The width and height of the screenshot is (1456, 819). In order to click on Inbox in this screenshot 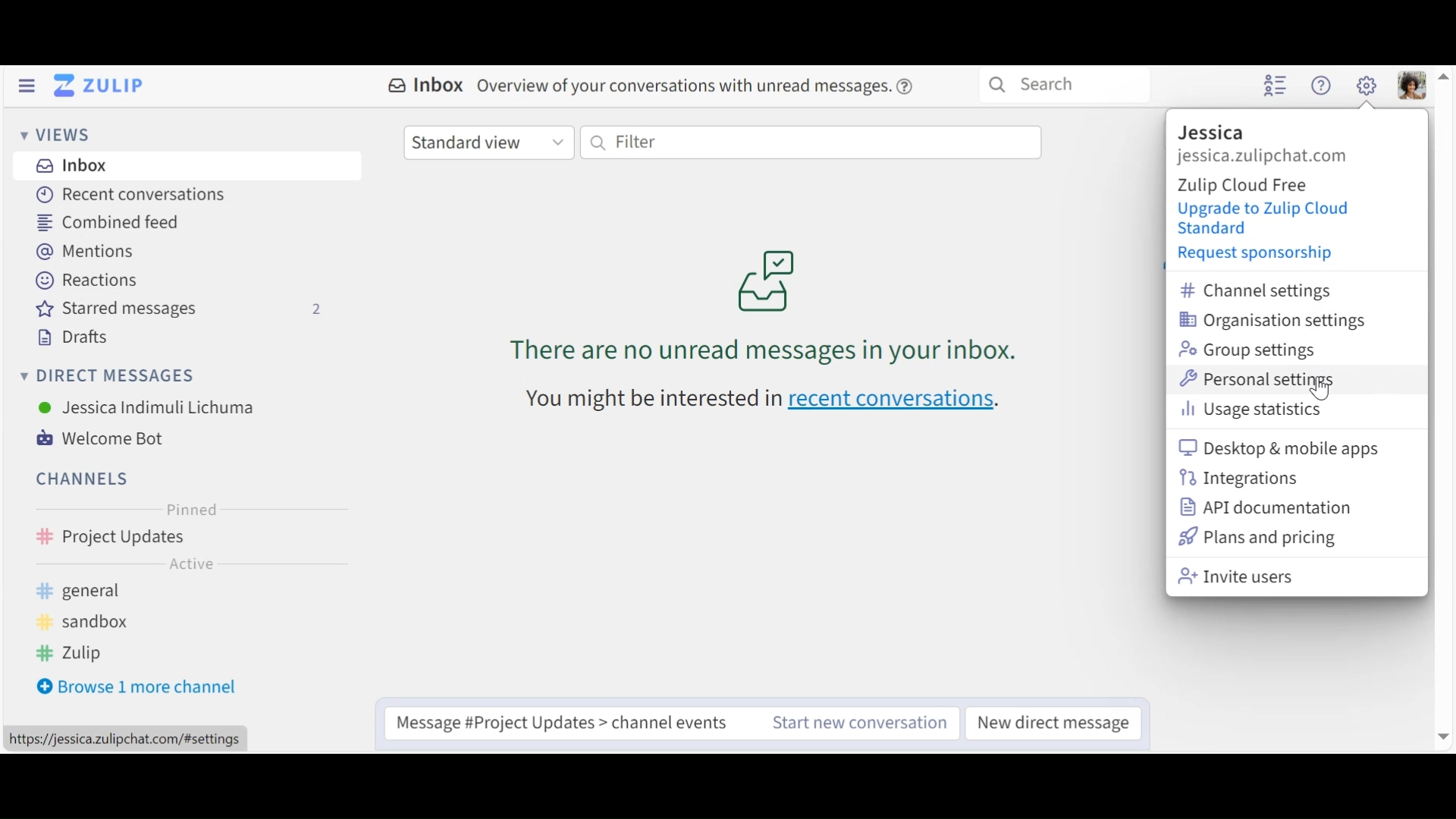, I will do `click(69, 165)`.